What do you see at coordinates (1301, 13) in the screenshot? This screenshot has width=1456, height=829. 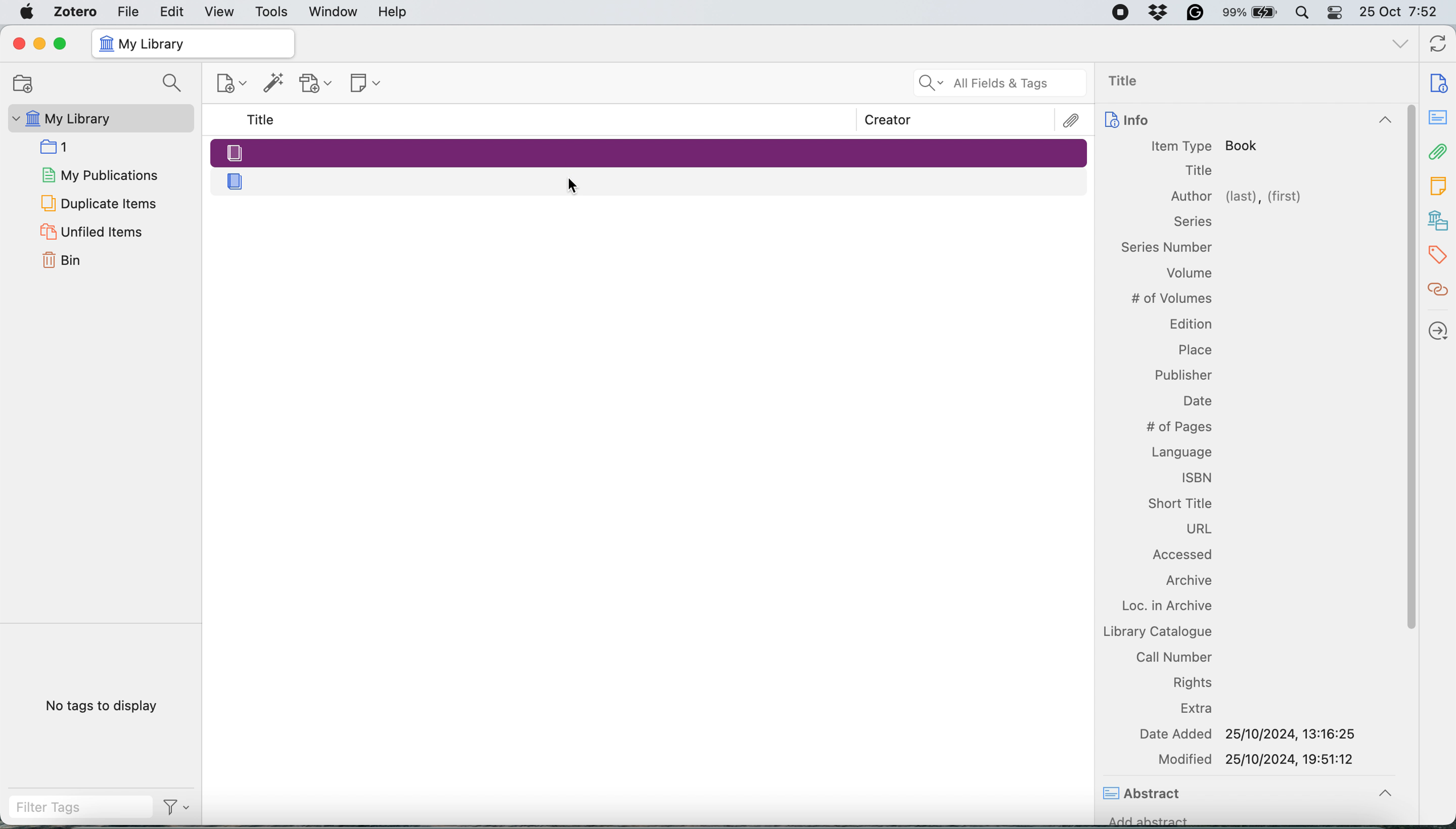 I see `Spotlight Search` at bounding box center [1301, 13].